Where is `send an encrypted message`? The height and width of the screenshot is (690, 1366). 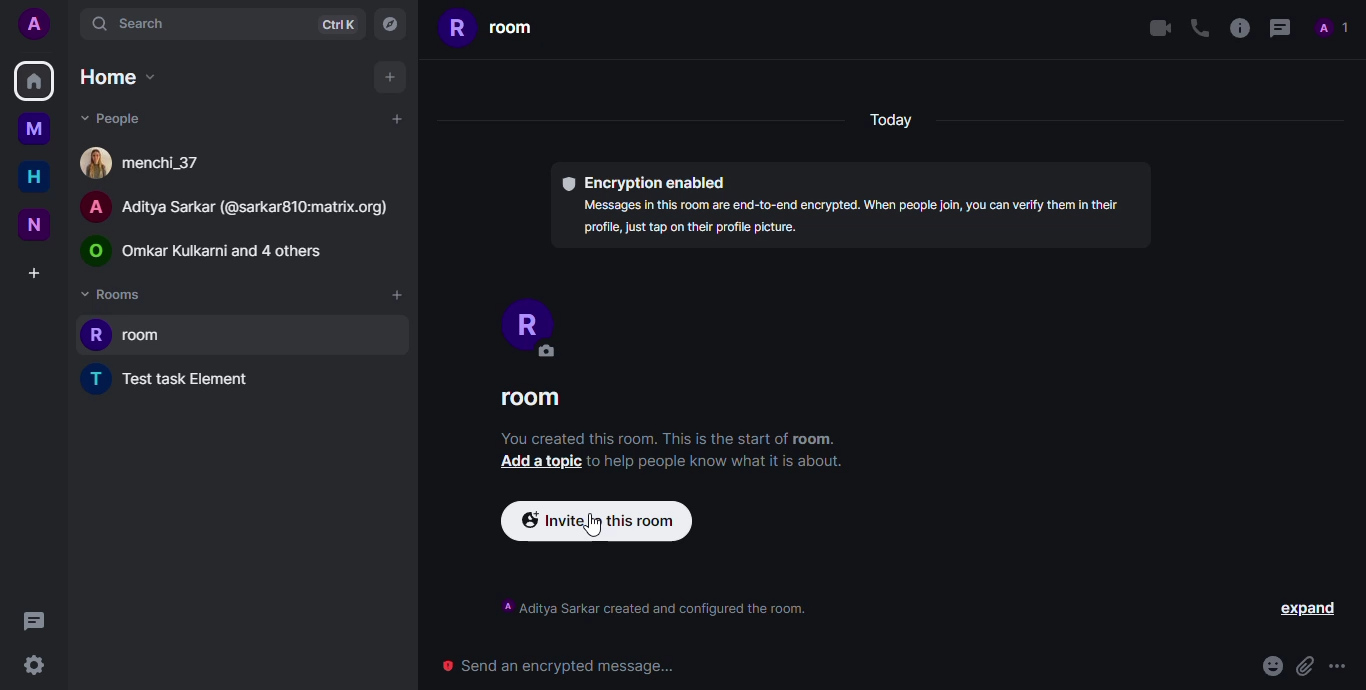 send an encrypted message is located at coordinates (552, 665).